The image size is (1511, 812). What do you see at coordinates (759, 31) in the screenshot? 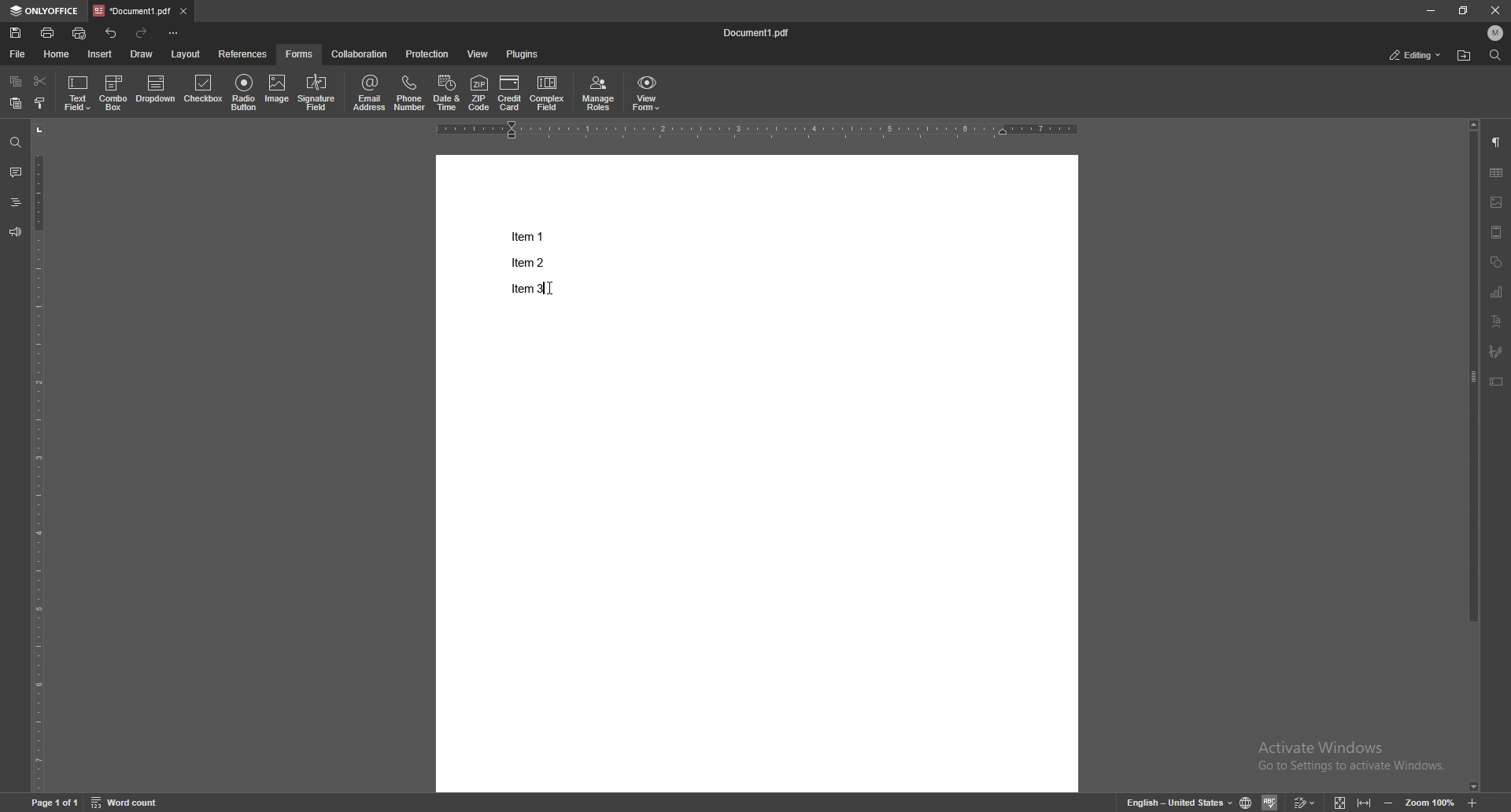
I see `file name` at bounding box center [759, 31].